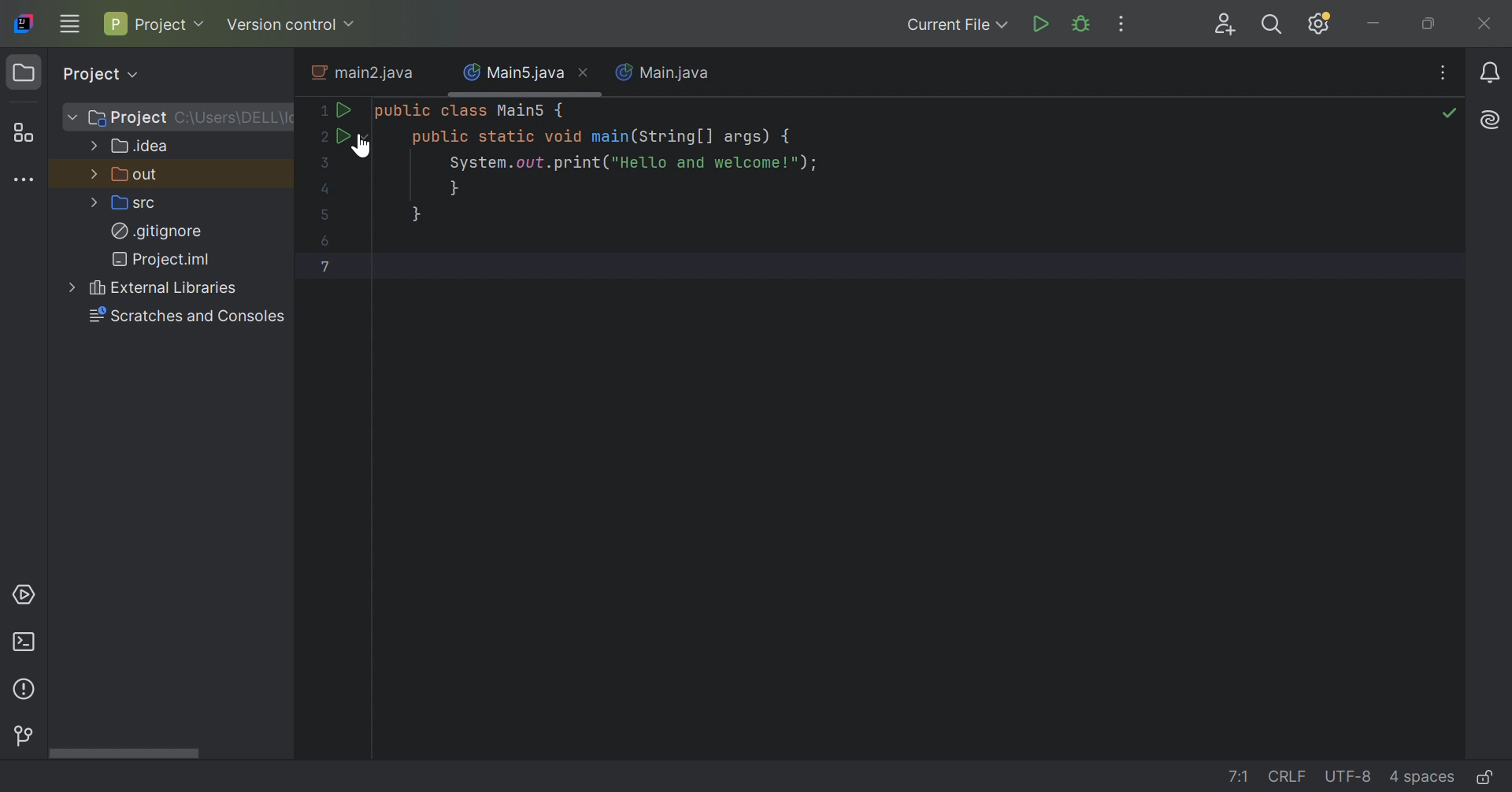 Image resolution: width=1512 pixels, height=792 pixels. I want to click on Code with me, so click(1225, 24).